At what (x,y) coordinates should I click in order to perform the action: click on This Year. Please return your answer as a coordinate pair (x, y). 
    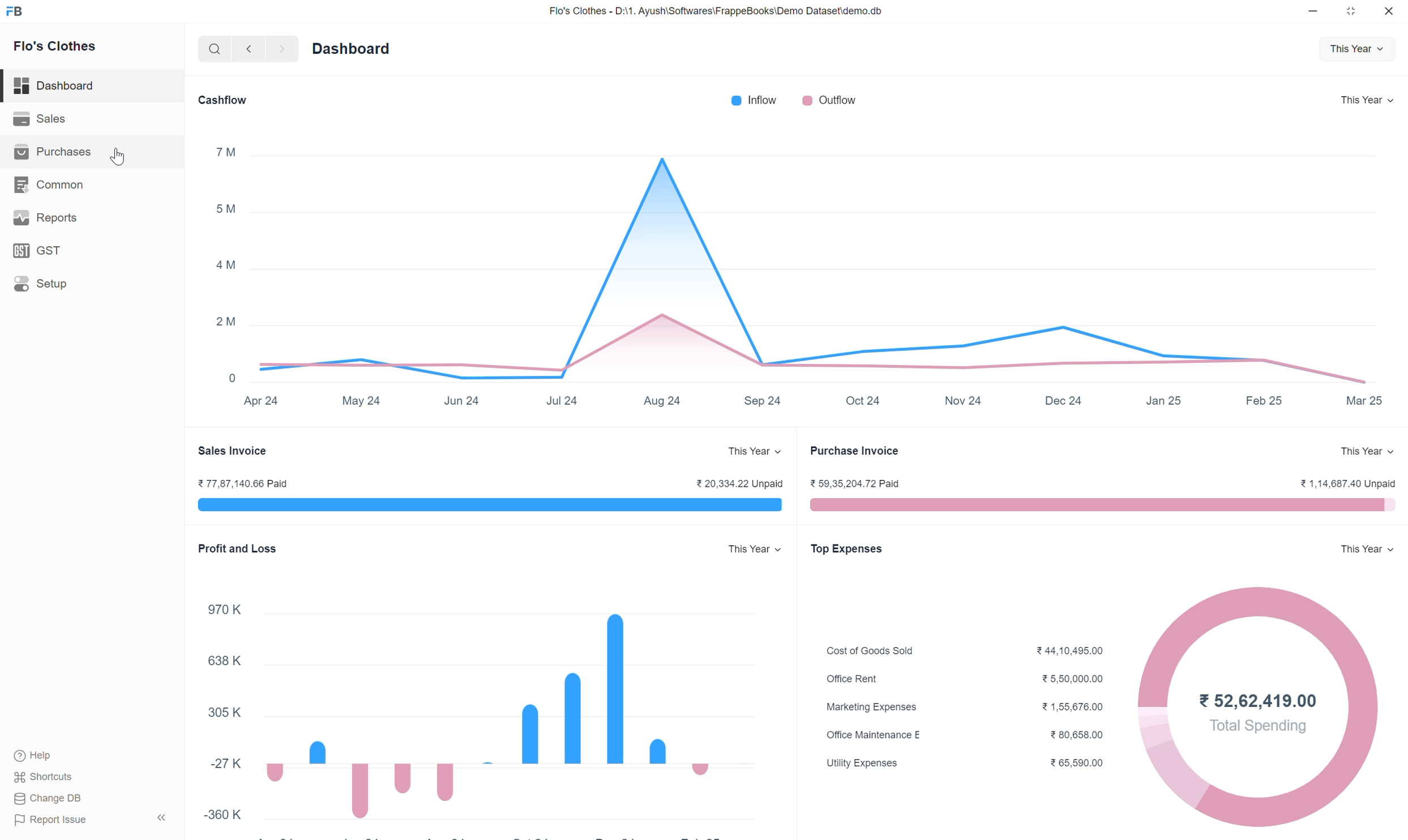
    Looking at the image, I should click on (1367, 549).